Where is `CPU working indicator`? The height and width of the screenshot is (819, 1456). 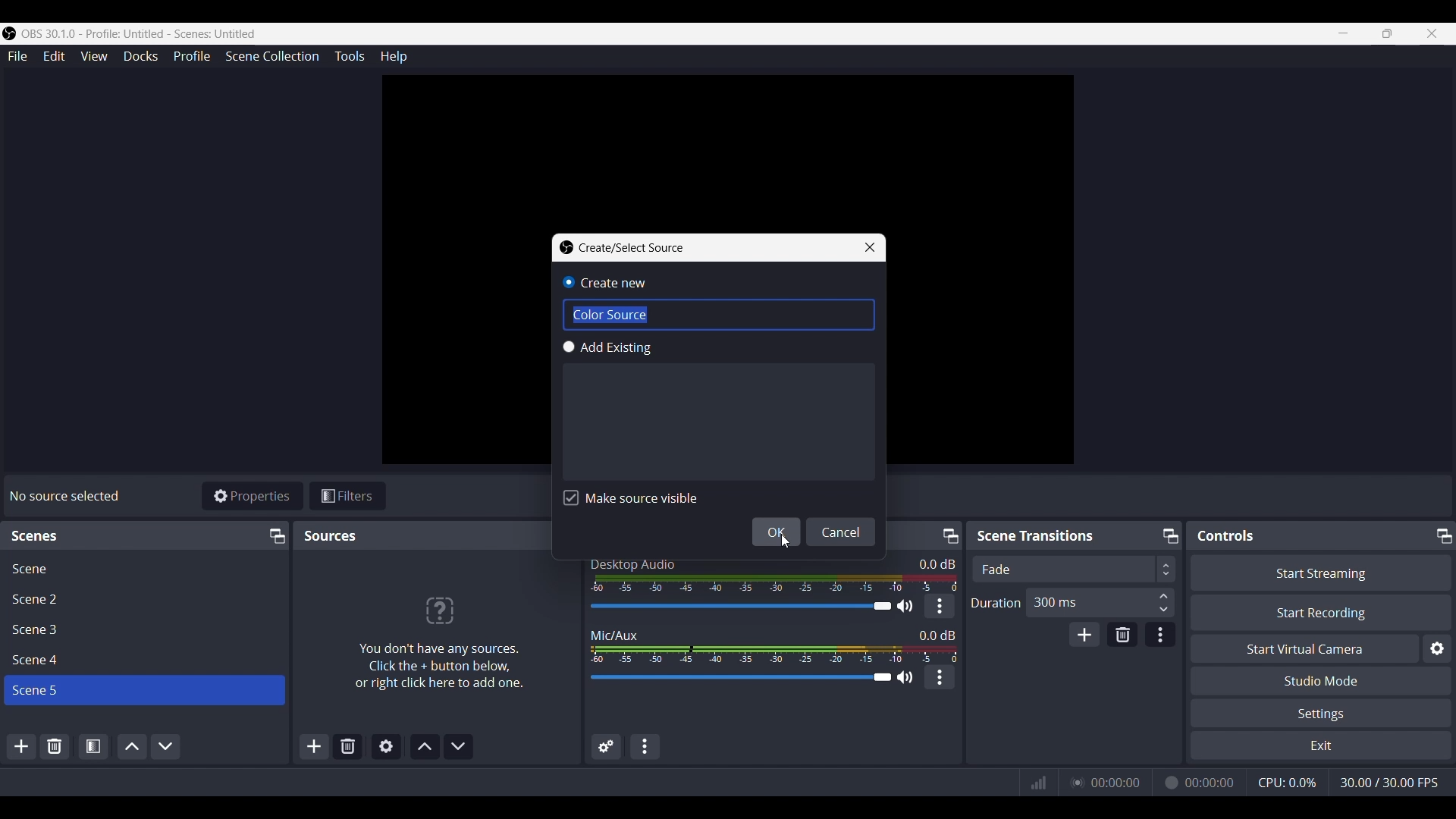
CPU working indicator is located at coordinates (1287, 782).